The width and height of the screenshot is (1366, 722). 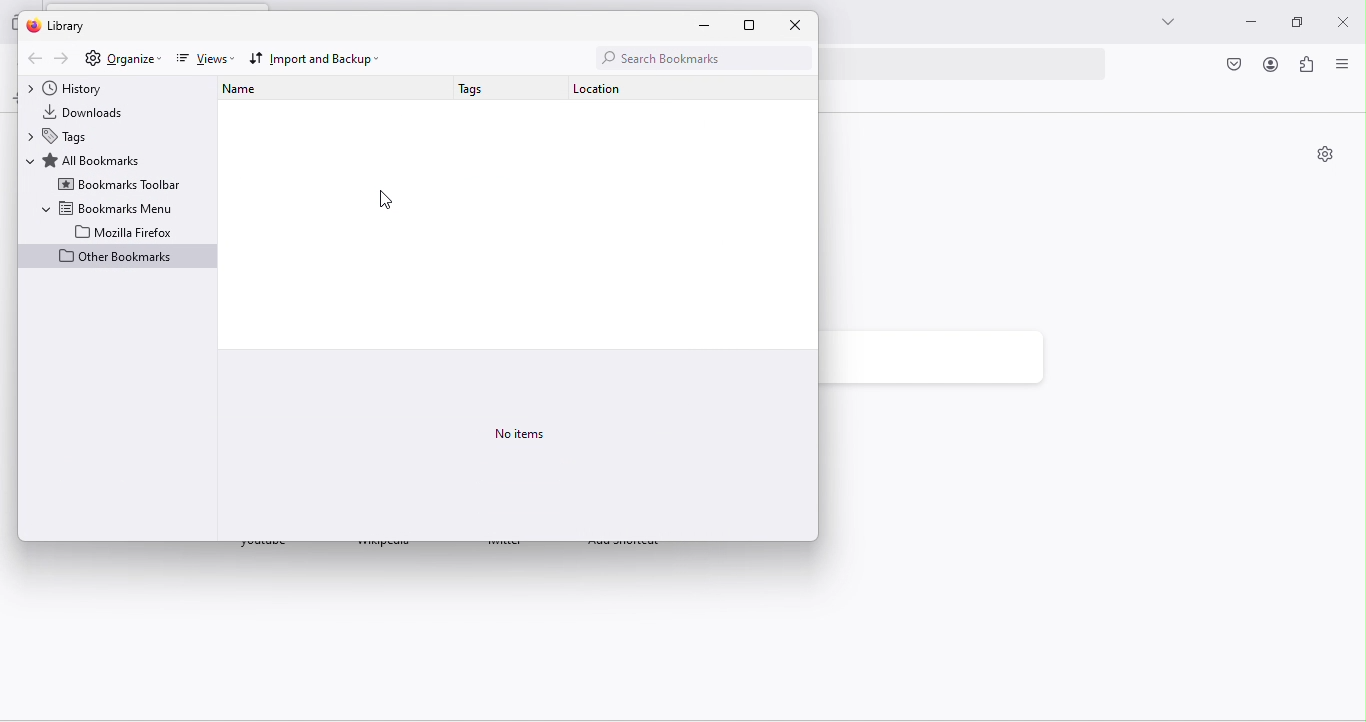 What do you see at coordinates (759, 25) in the screenshot?
I see `maximize` at bounding box center [759, 25].